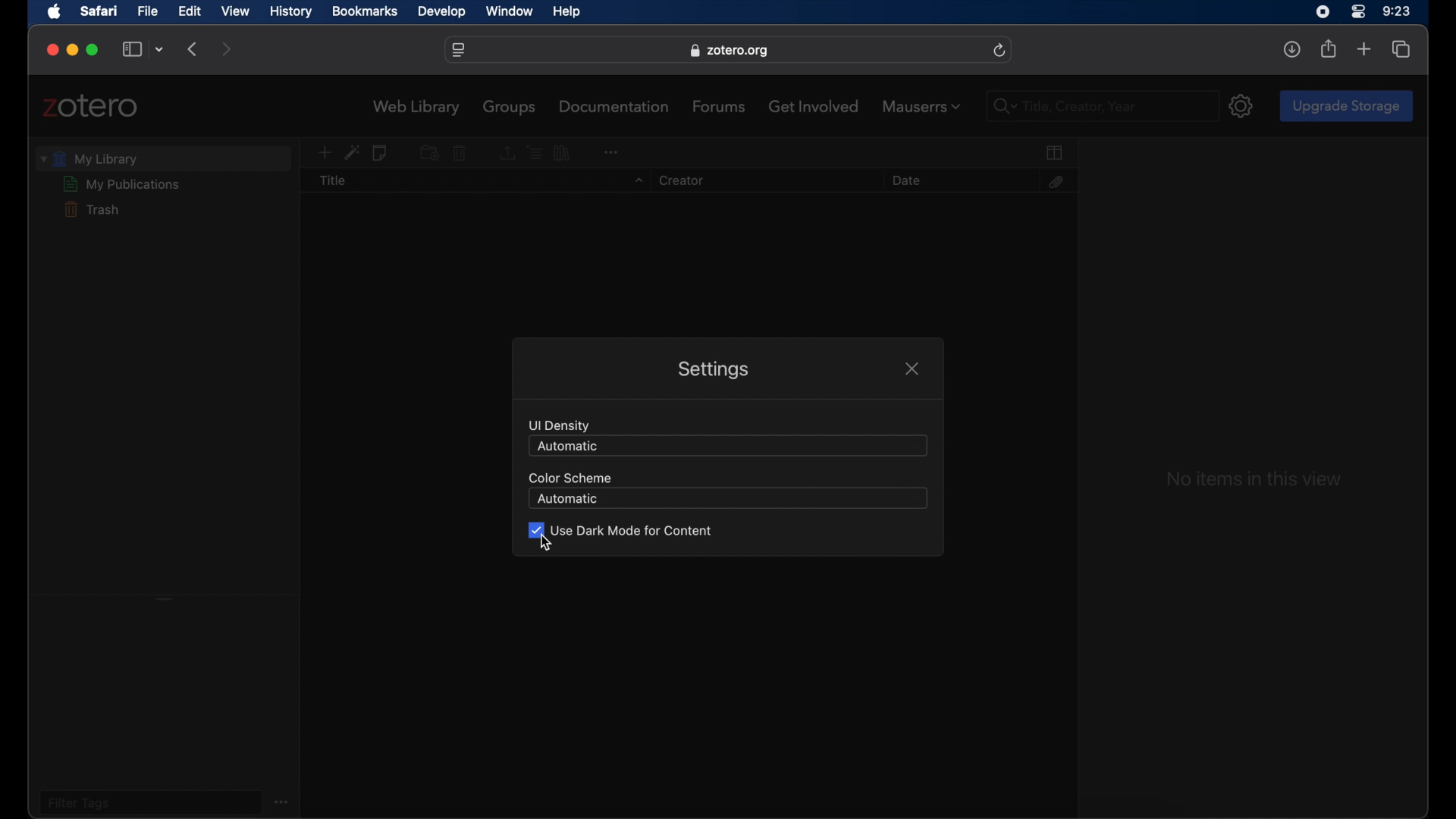 The width and height of the screenshot is (1456, 819). What do you see at coordinates (610, 150) in the screenshot?
I see `more options` at bounding box center [610, 150].